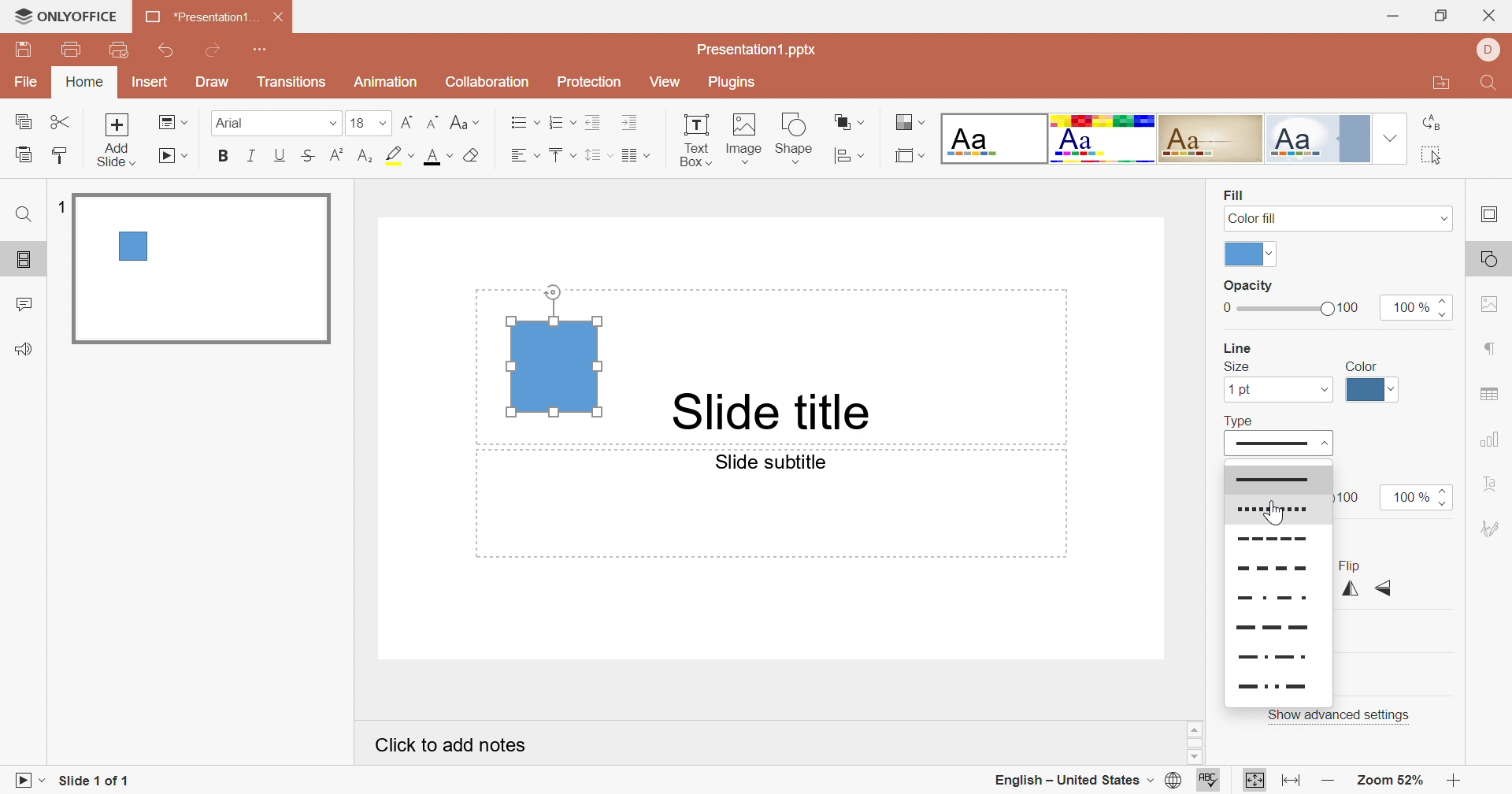 This screenshot has height=794, width=1512. What do you see at coordinates (560, 155) in the screenshot?
I see `Align Top` at bounding box center [560, 155].